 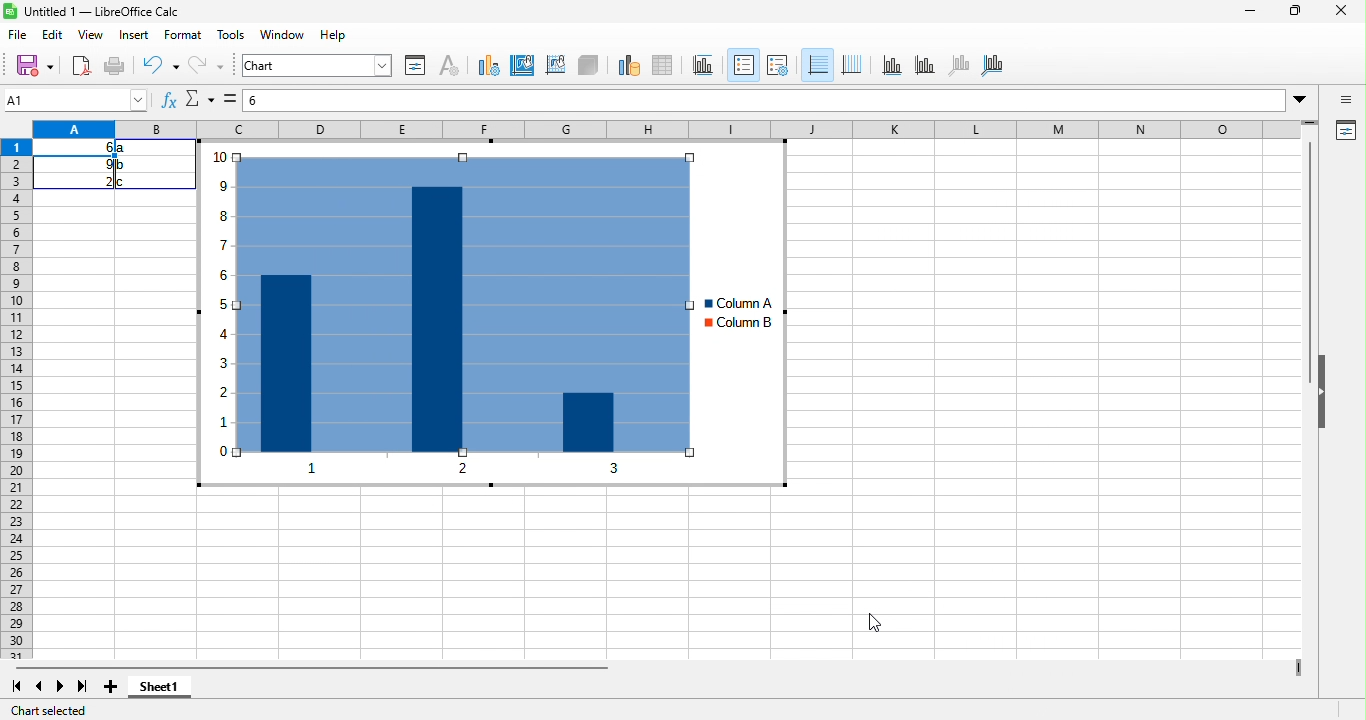 What do you see at coordinates (958, 65) in the screenshot?
I see `Z axis` at bounding box center [958, 65].